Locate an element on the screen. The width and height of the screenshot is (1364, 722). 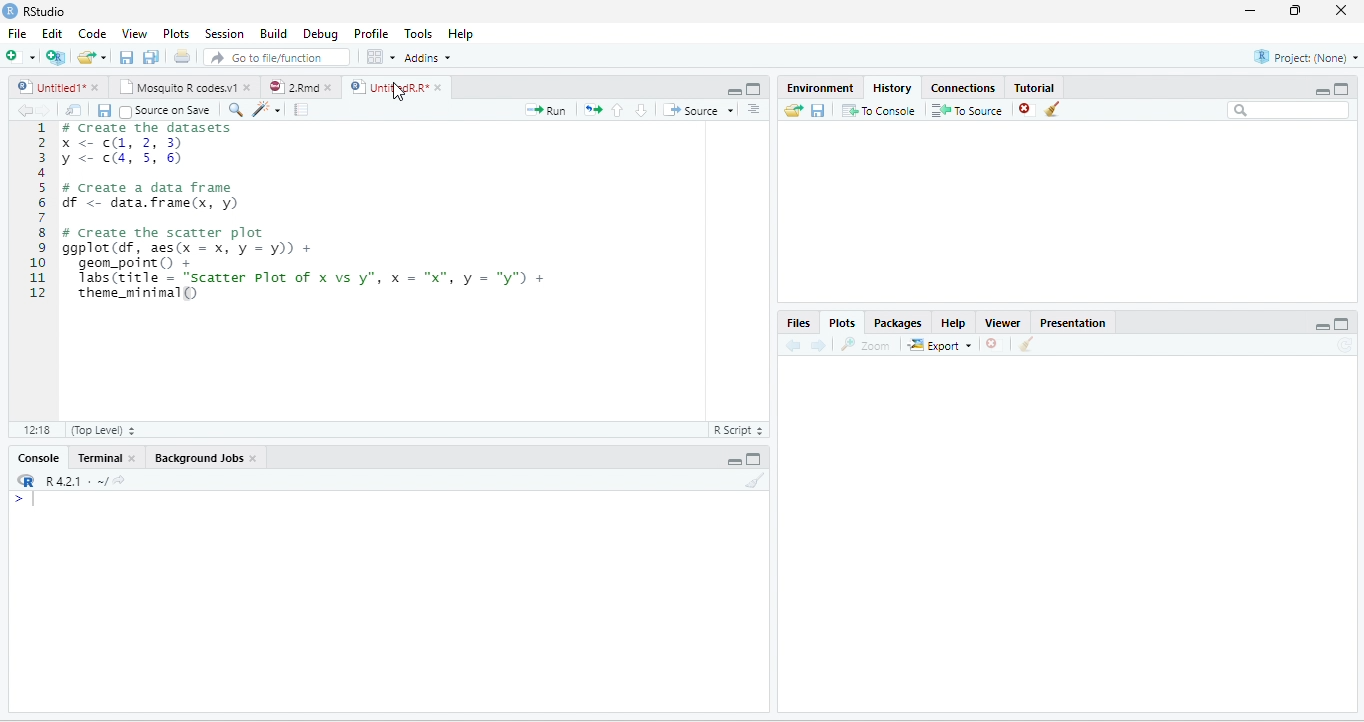
Environment is located at coordinates (820, 88).